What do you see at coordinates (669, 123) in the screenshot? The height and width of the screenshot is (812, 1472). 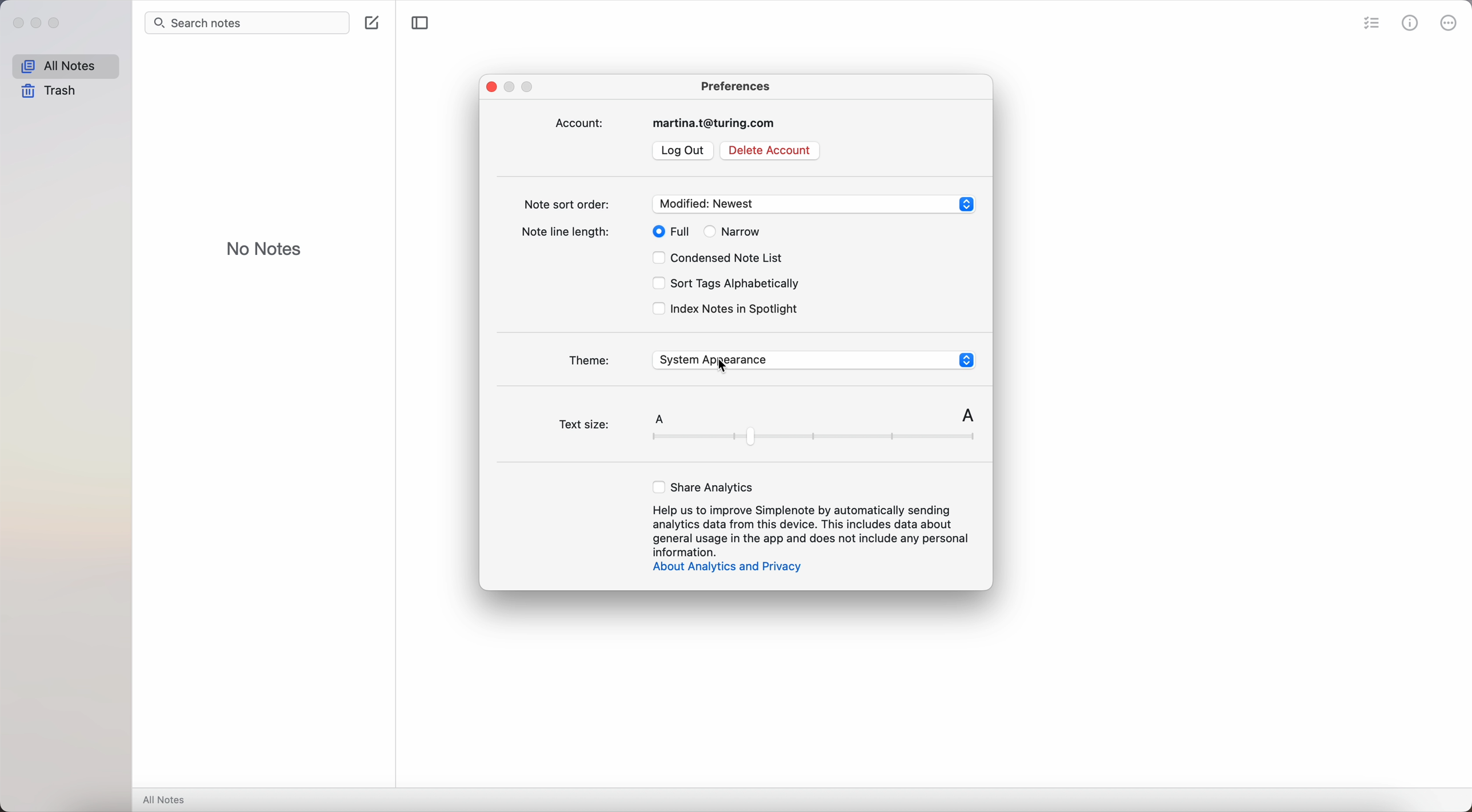 I see `account` at bounding box center [669, 123].